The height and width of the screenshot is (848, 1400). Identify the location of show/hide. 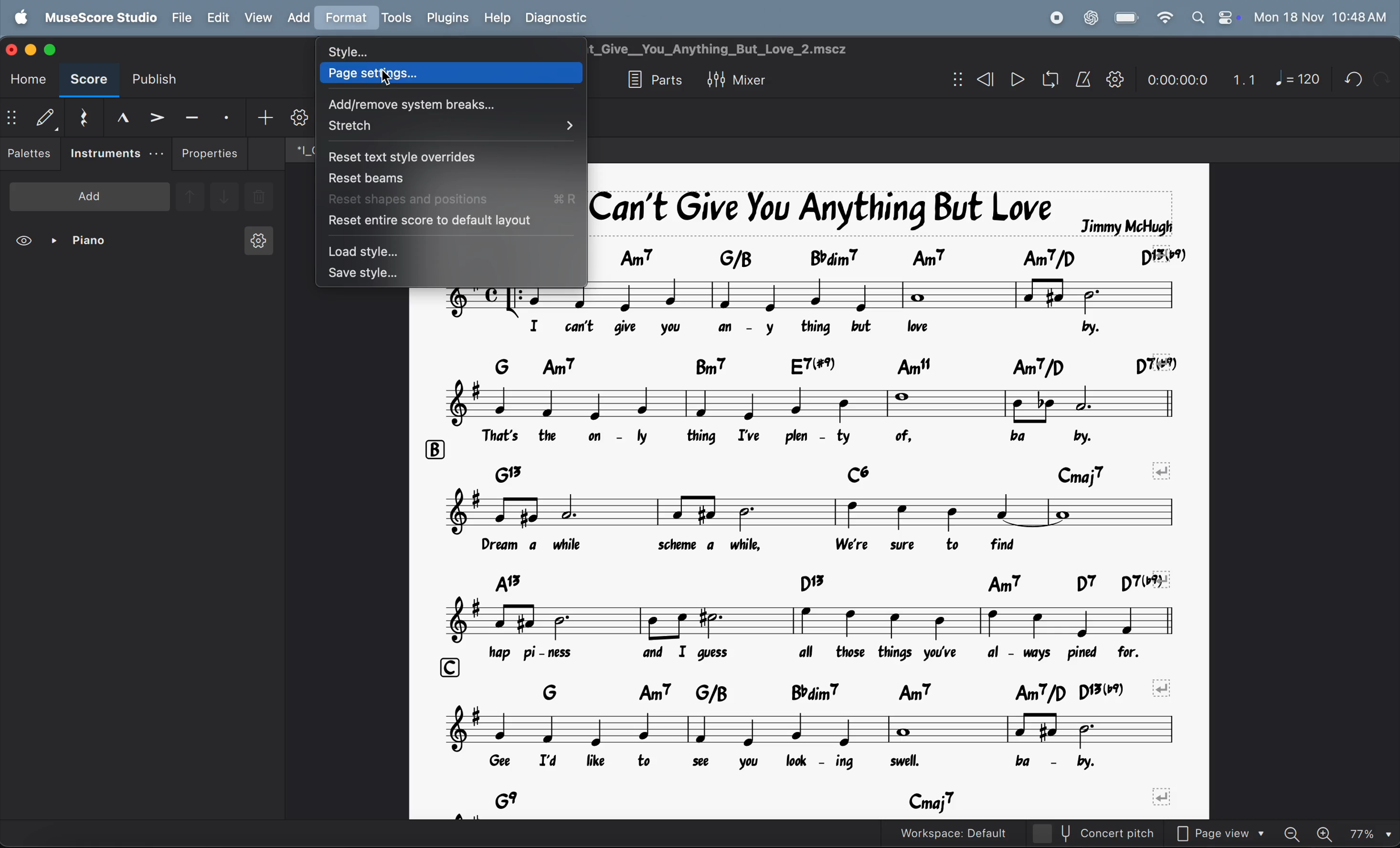
(955, 80).